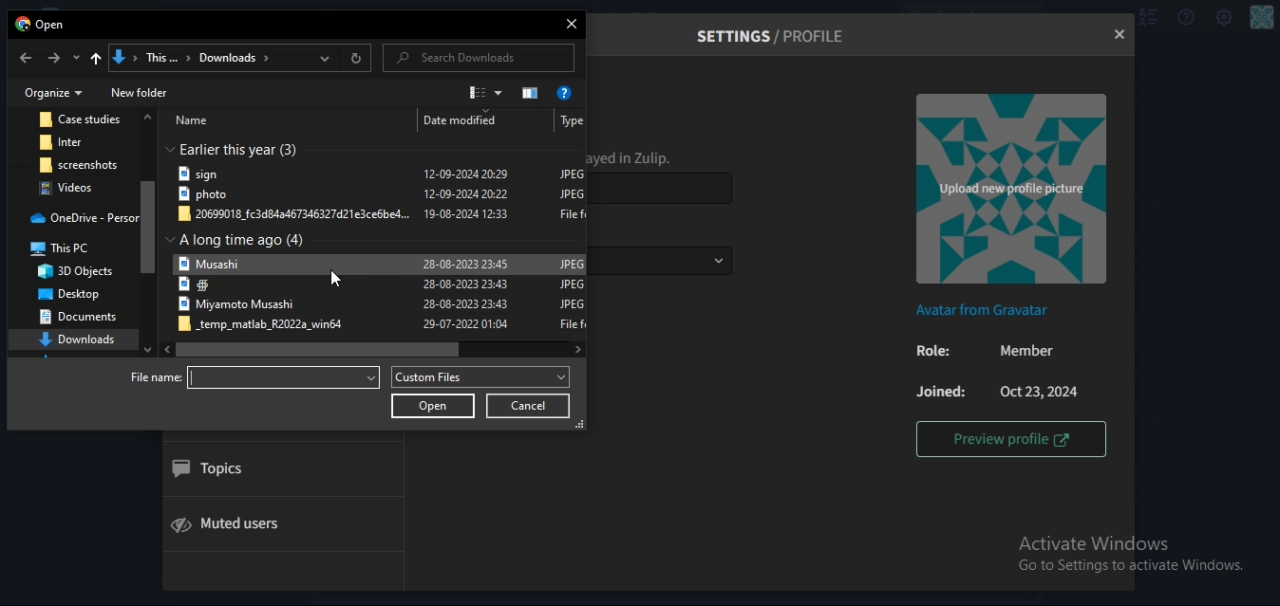  What do you see at coordinates (434, 406) in the screenshot?
I see `open` at bounding box center [434, 406].